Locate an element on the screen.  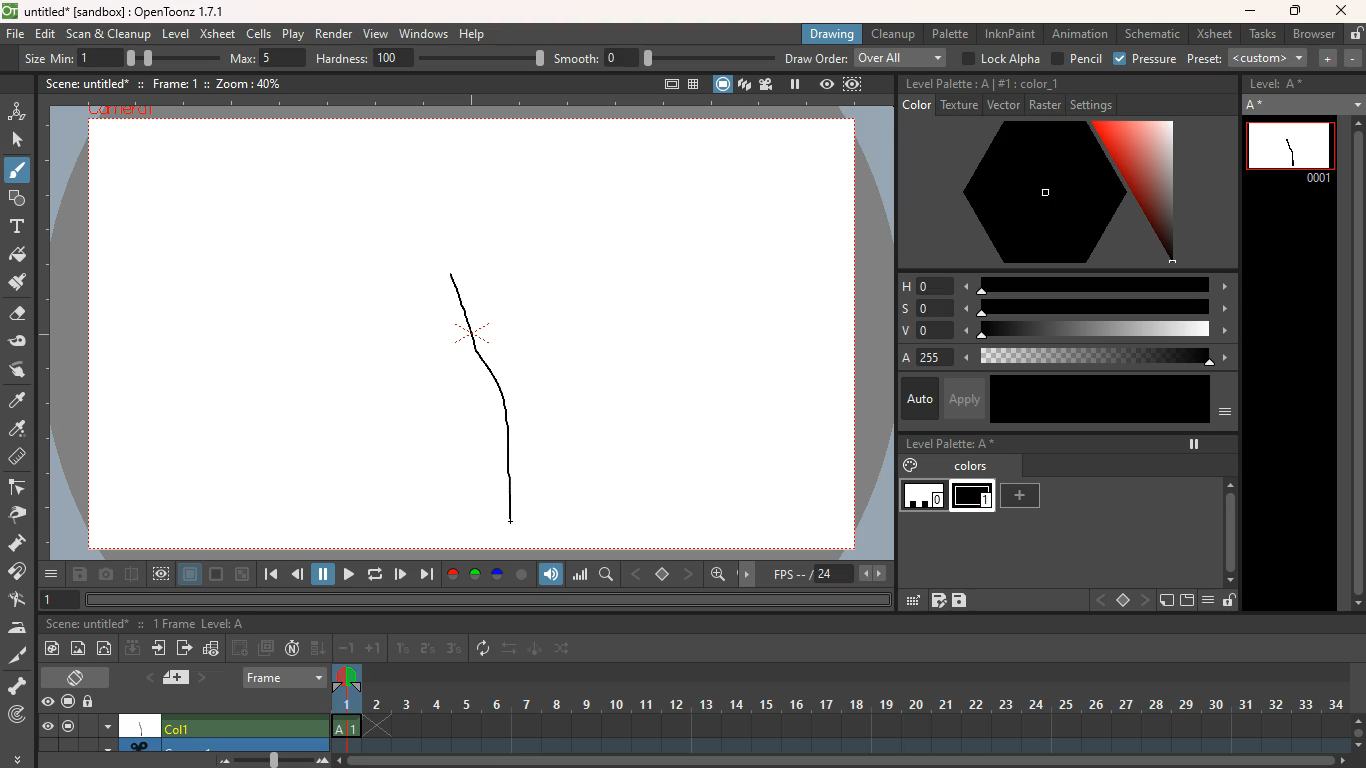
screen is located at coordinates (67, 699).